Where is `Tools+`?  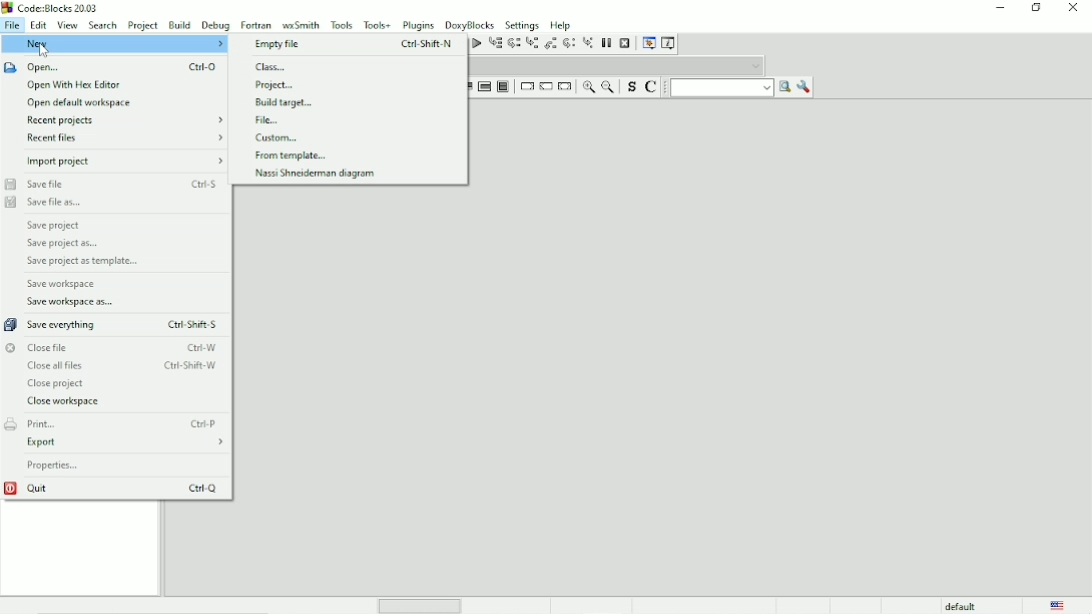 Tools+ is located at coordinates (377, 24).